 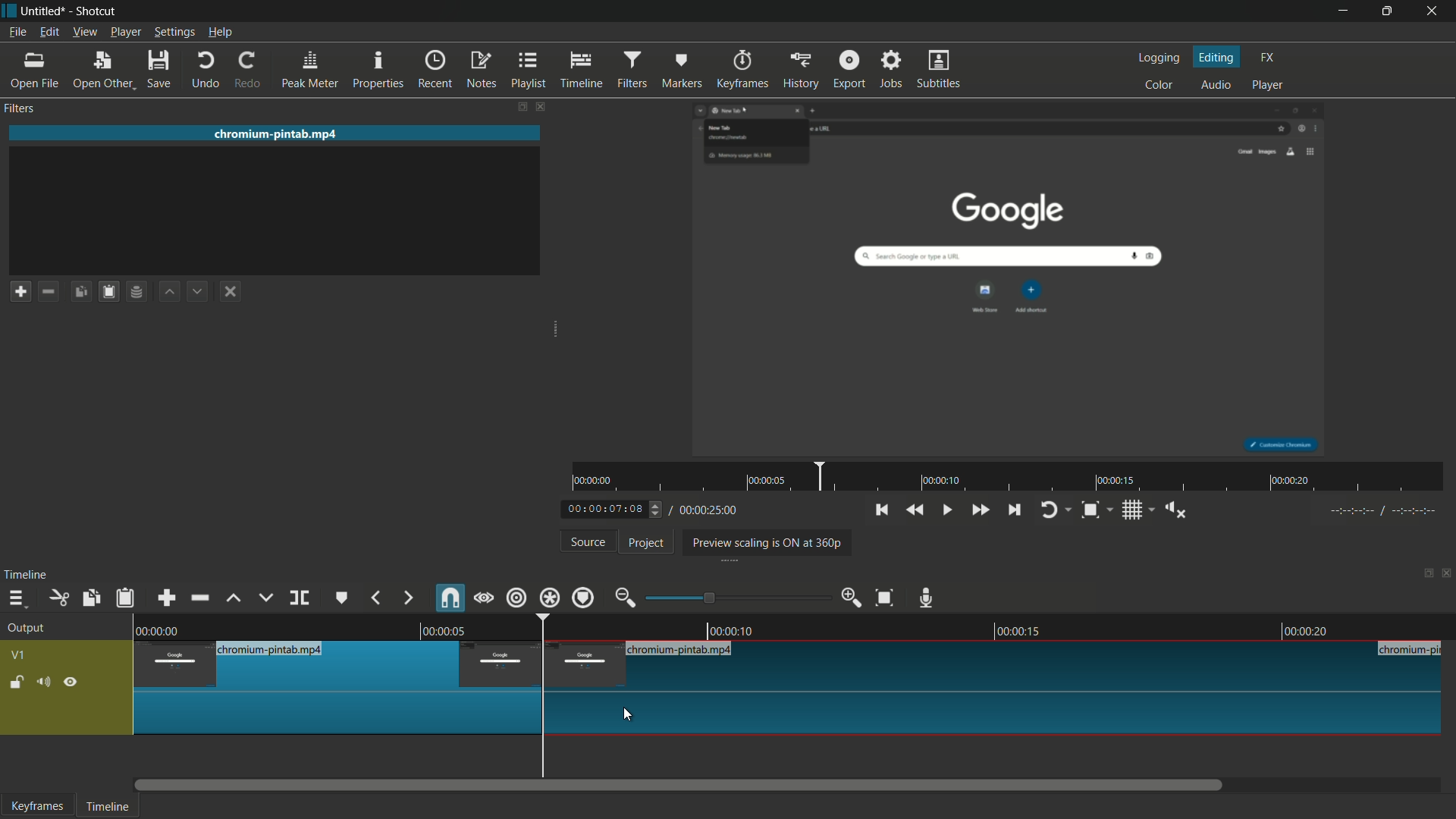 I want to click on markers, so click(x=680, y=71).